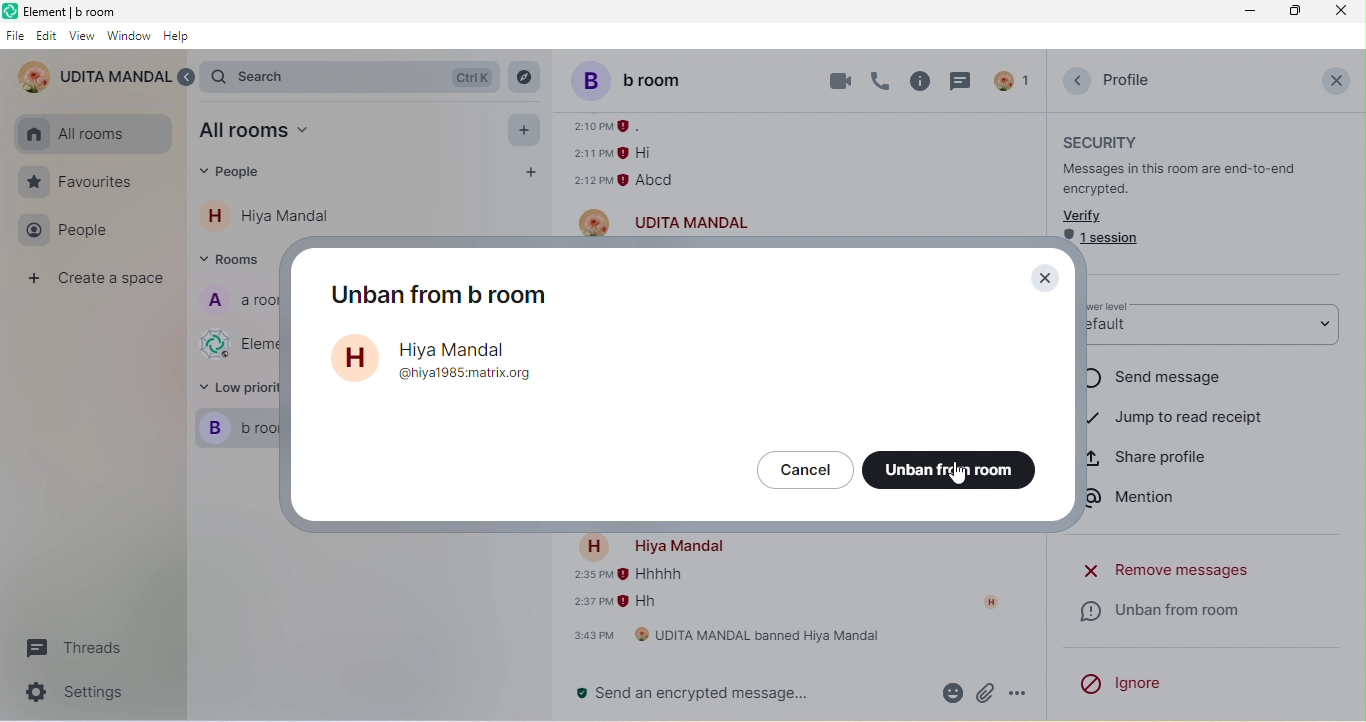 The image size is (1366, 722). I want to click on element web/desktop, so click(240, 341).